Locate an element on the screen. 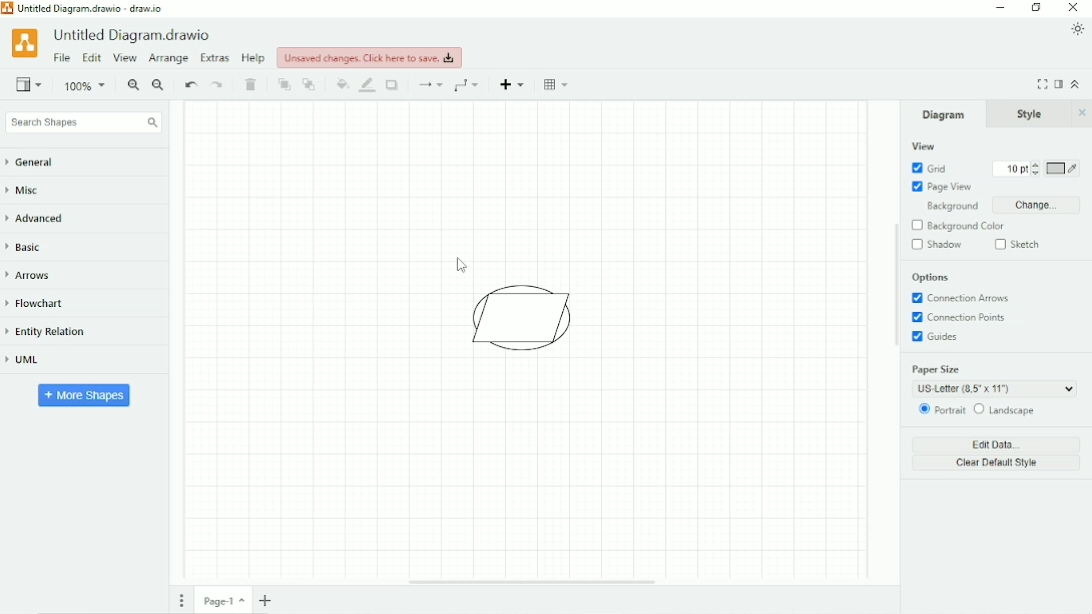 This screenshot has width=1092, height=614. Appearance is located at coordinates (1078, 29).